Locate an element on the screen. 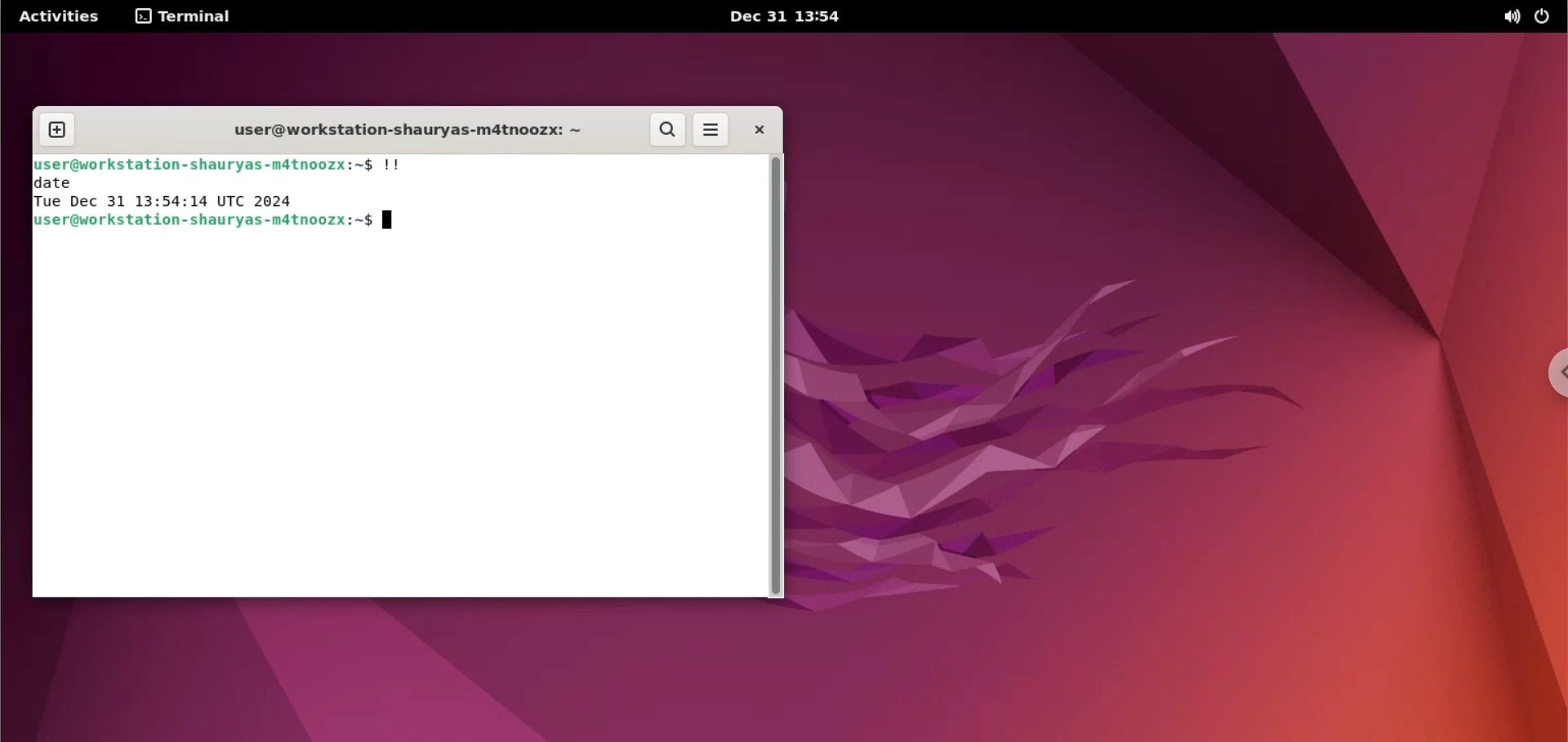 Image resolution: width=1568 pixels, height=742 pixels. puser@gworkstation-shauryas-s4tnoozx Et | is located at coordinates (207, 224).